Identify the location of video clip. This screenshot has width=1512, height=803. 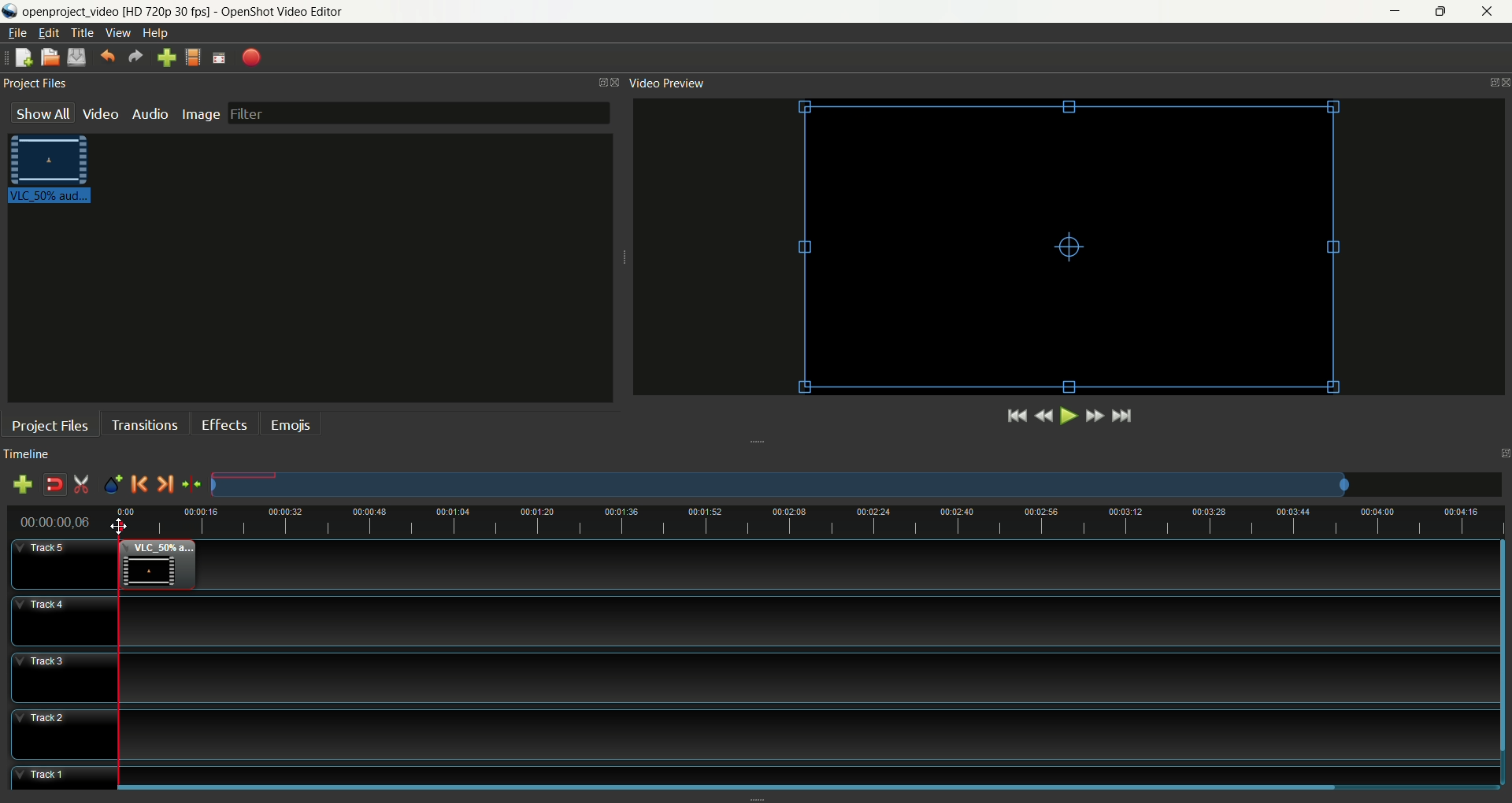
(54, 172).